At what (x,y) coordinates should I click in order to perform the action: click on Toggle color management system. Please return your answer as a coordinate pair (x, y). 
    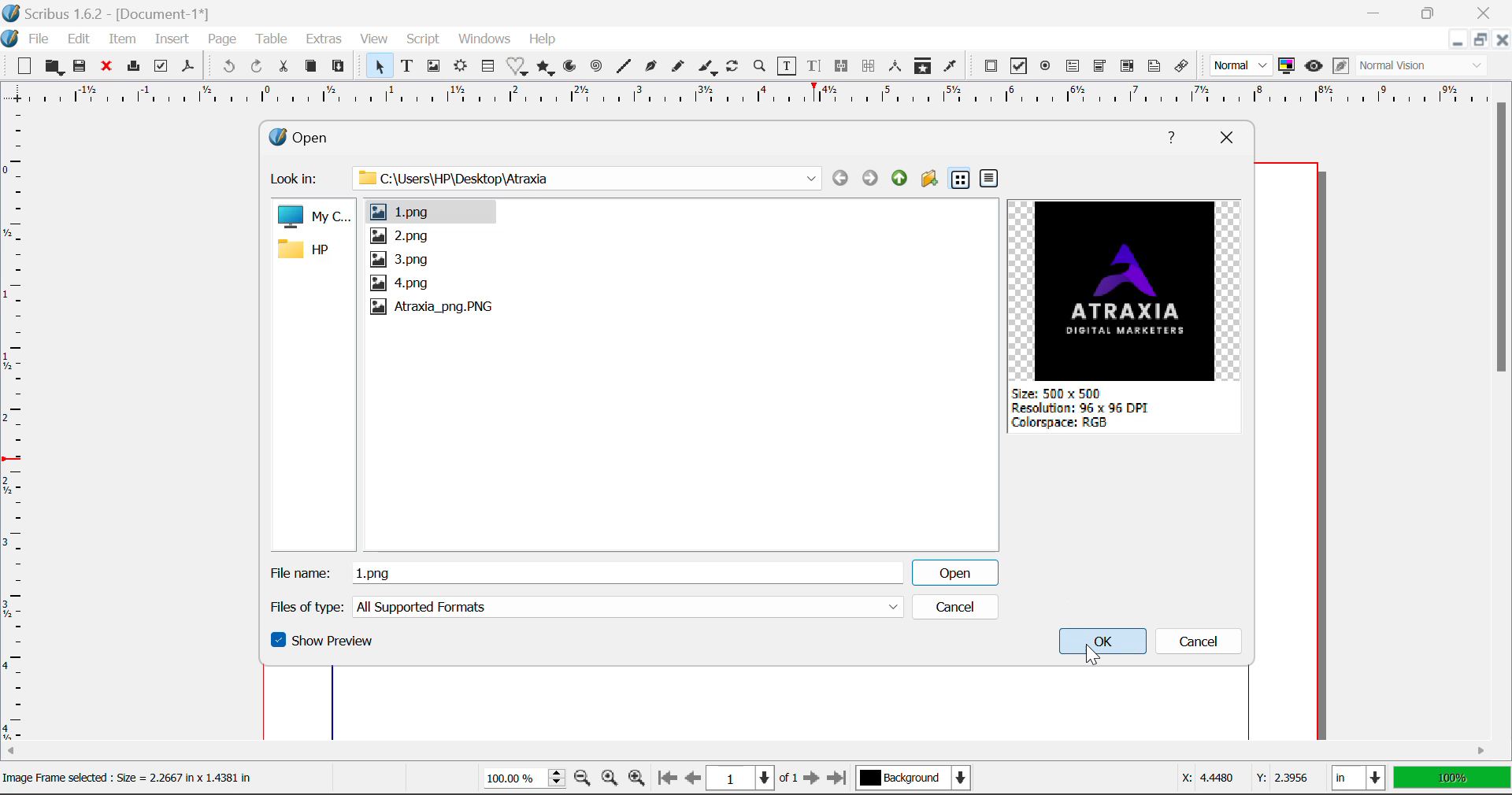
    Looking at the image, I should click on (1287, 67).